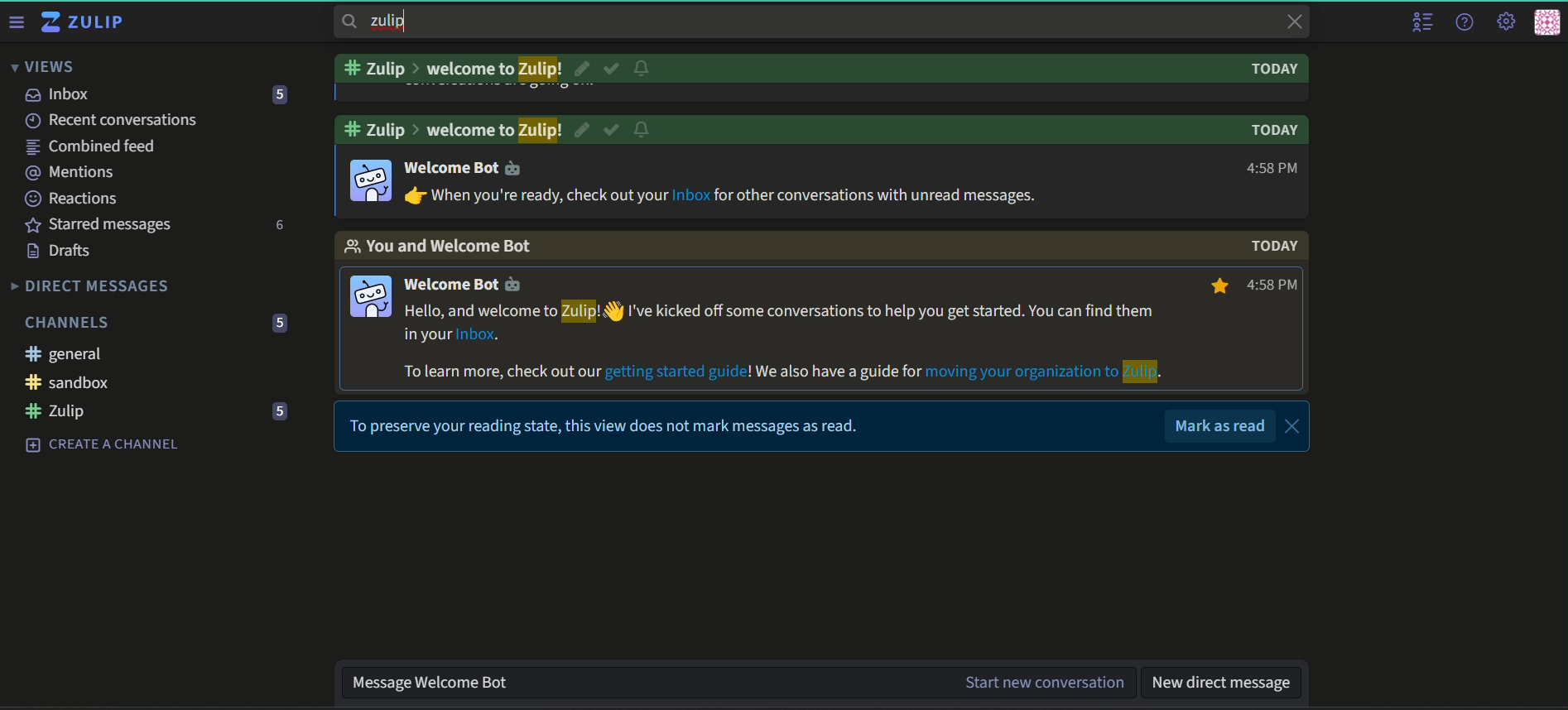 This screenshot has height=710, width=1568. Describe the element at coordinates (281, 410) in the screenshot. I see `number` at that location.